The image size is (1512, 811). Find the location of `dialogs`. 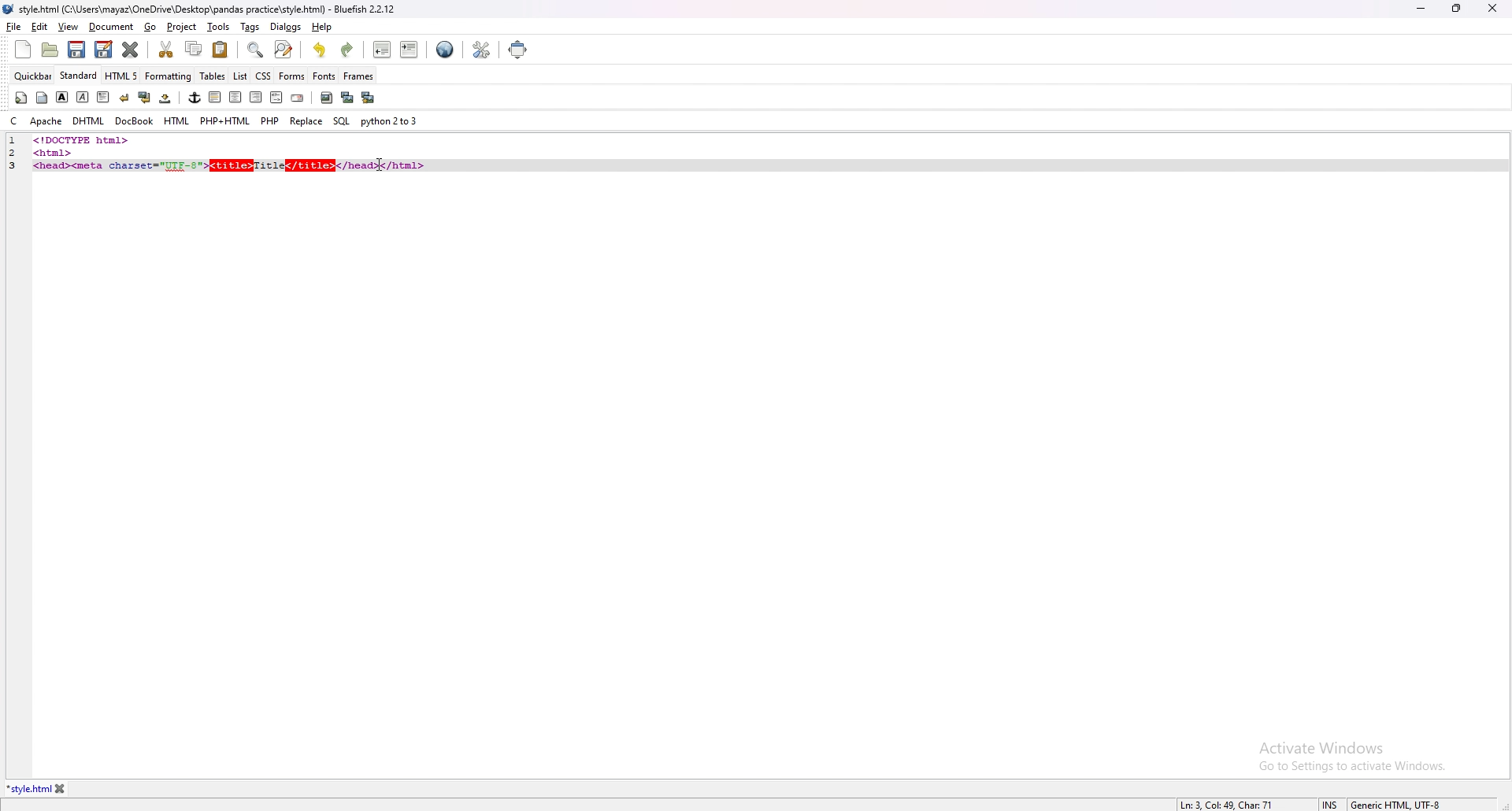

dialogs is located at coordinates (286, 27).